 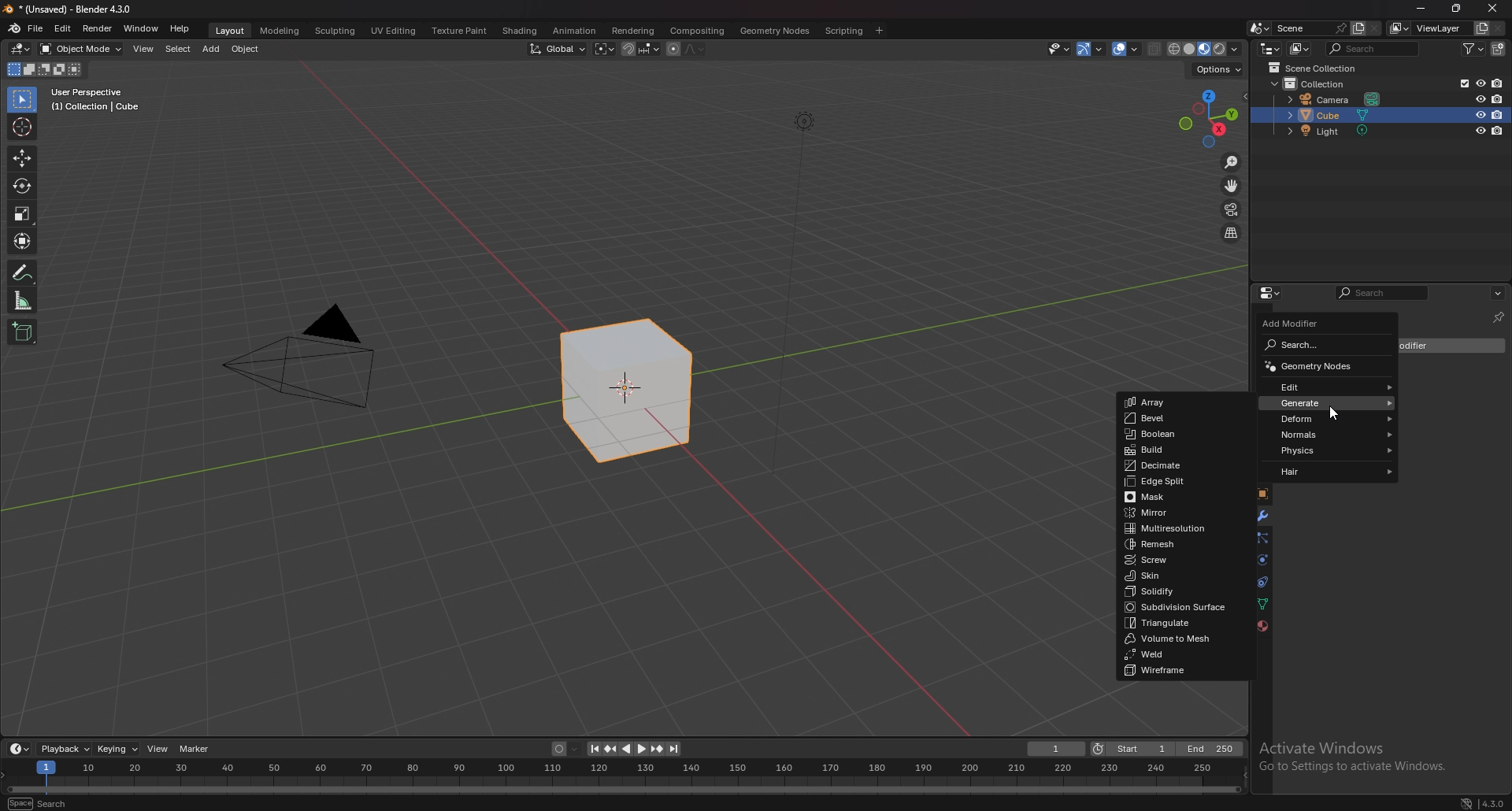 I want to click on browse scene, so click(x=1260, y=28).